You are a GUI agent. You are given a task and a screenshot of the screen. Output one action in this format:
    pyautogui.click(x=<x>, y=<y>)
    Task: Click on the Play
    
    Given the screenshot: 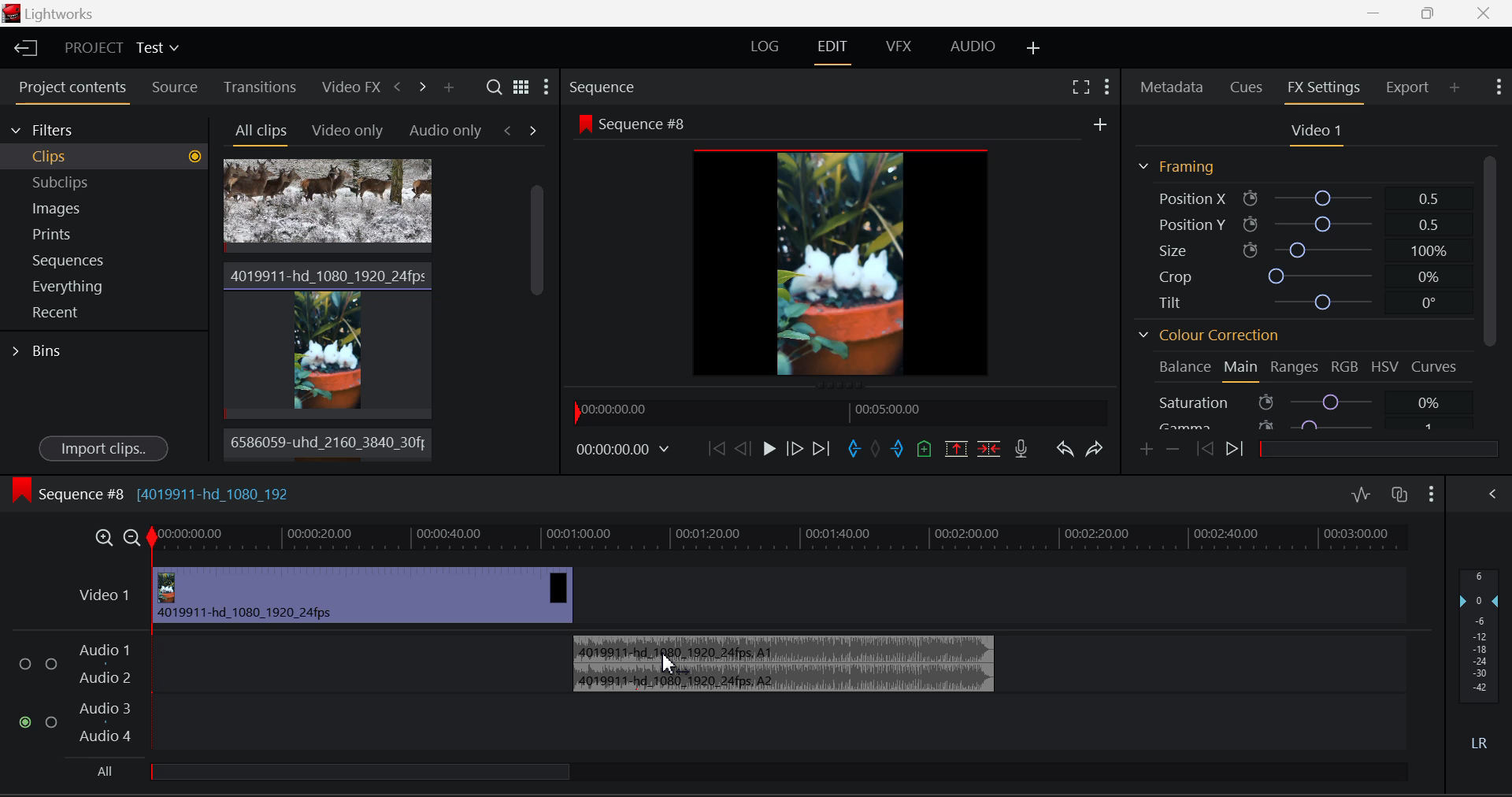 What is the action you would take?
    pyautogui.click(x=769, y=450)
    